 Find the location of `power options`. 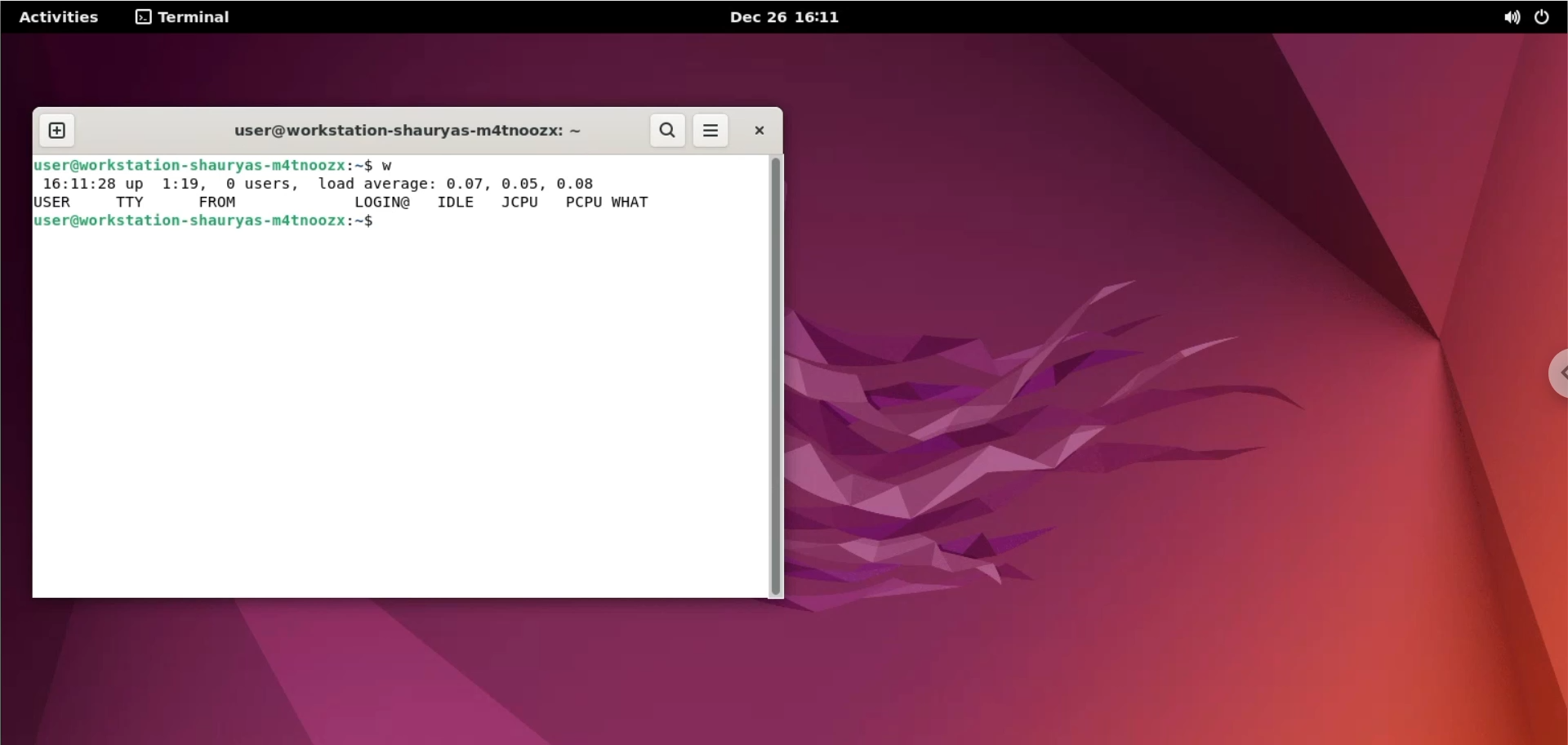

power options is located at coordinates (1549, 18).